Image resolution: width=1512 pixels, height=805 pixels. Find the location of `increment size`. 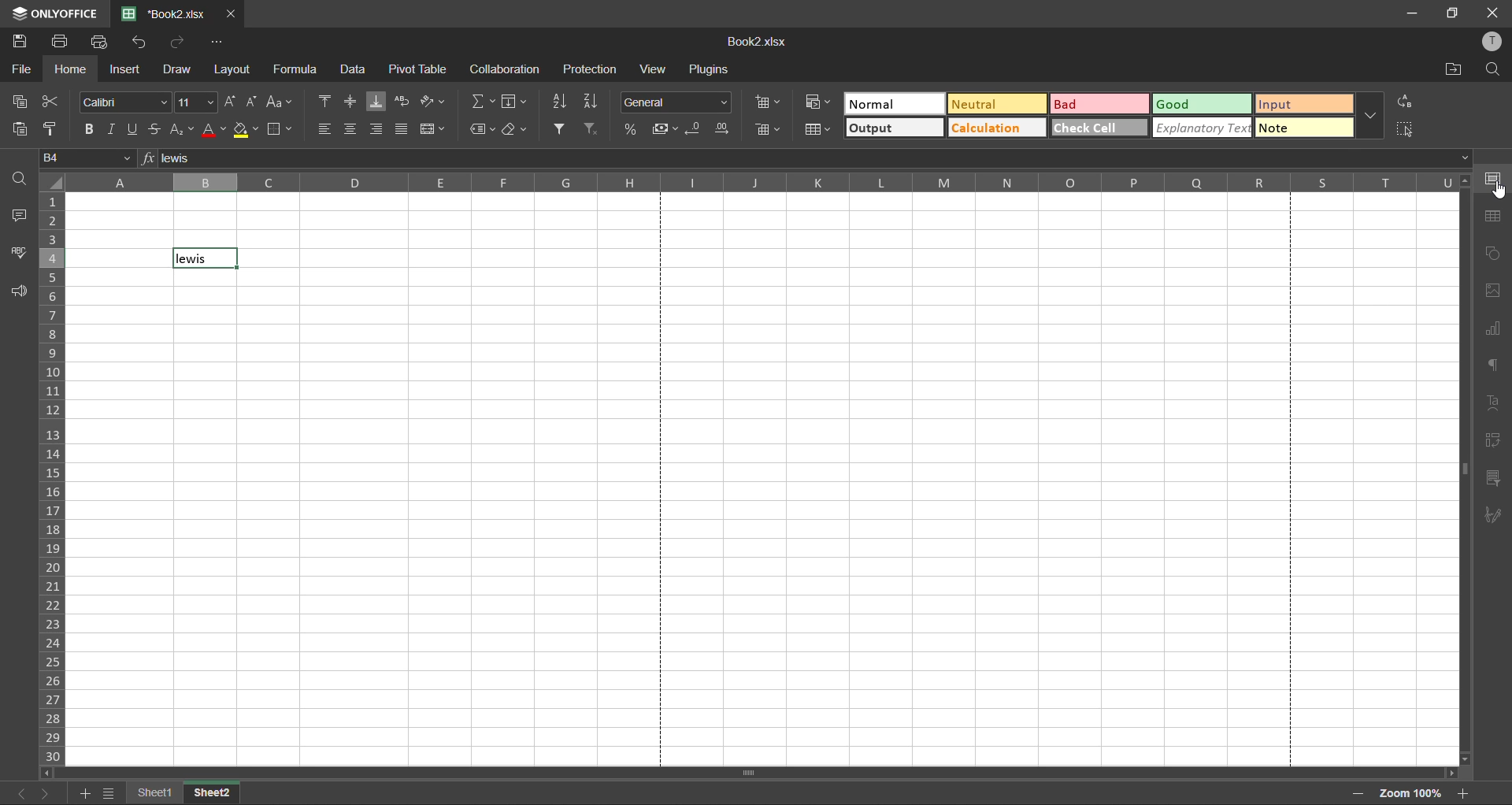

increment size is located at coordinates (230, 103).